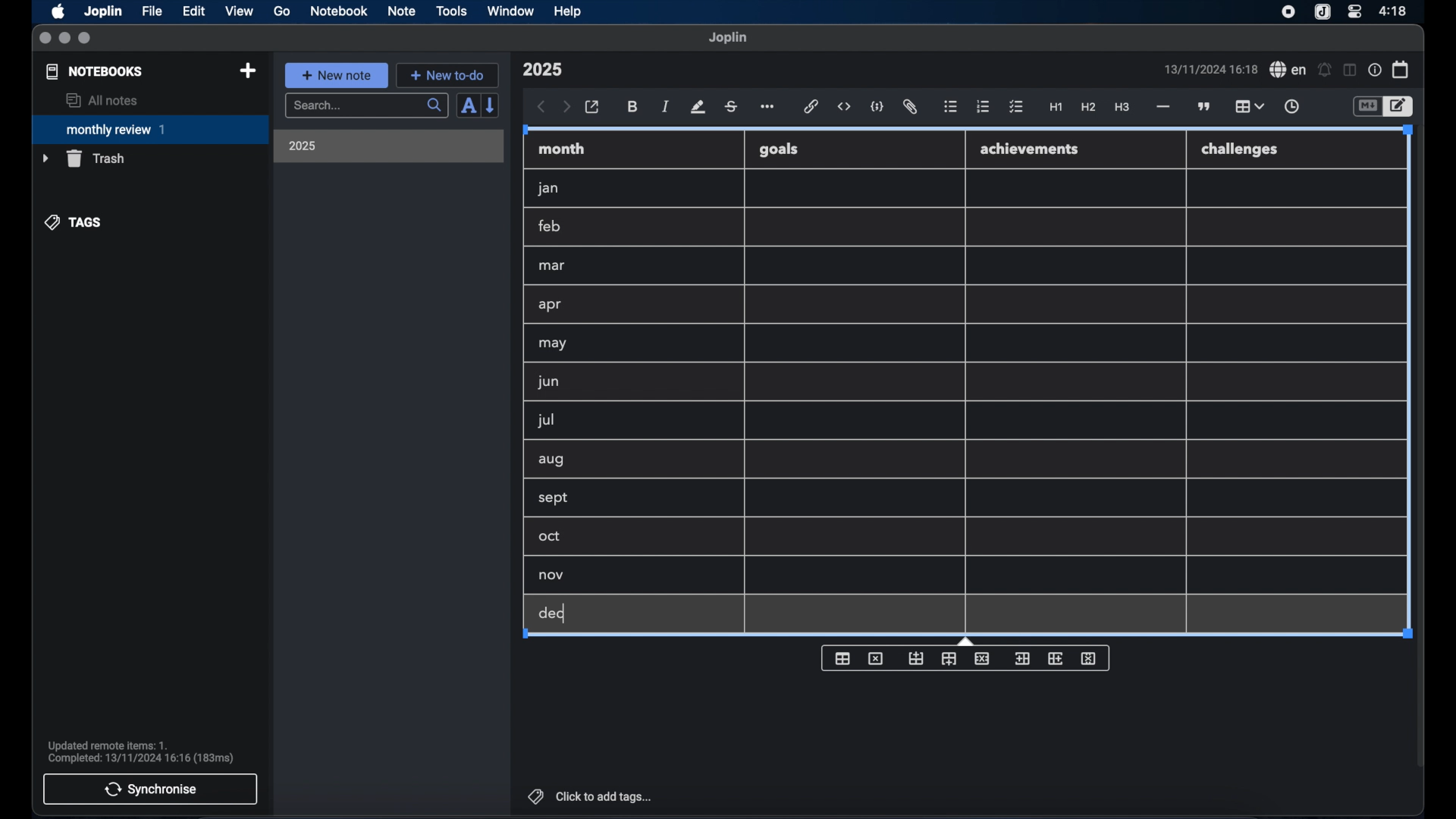 The image size is (1456, 819). What do you see at coordinates (239, 11) in the screenshot?
I see `view` at bounding box center [239, 11].